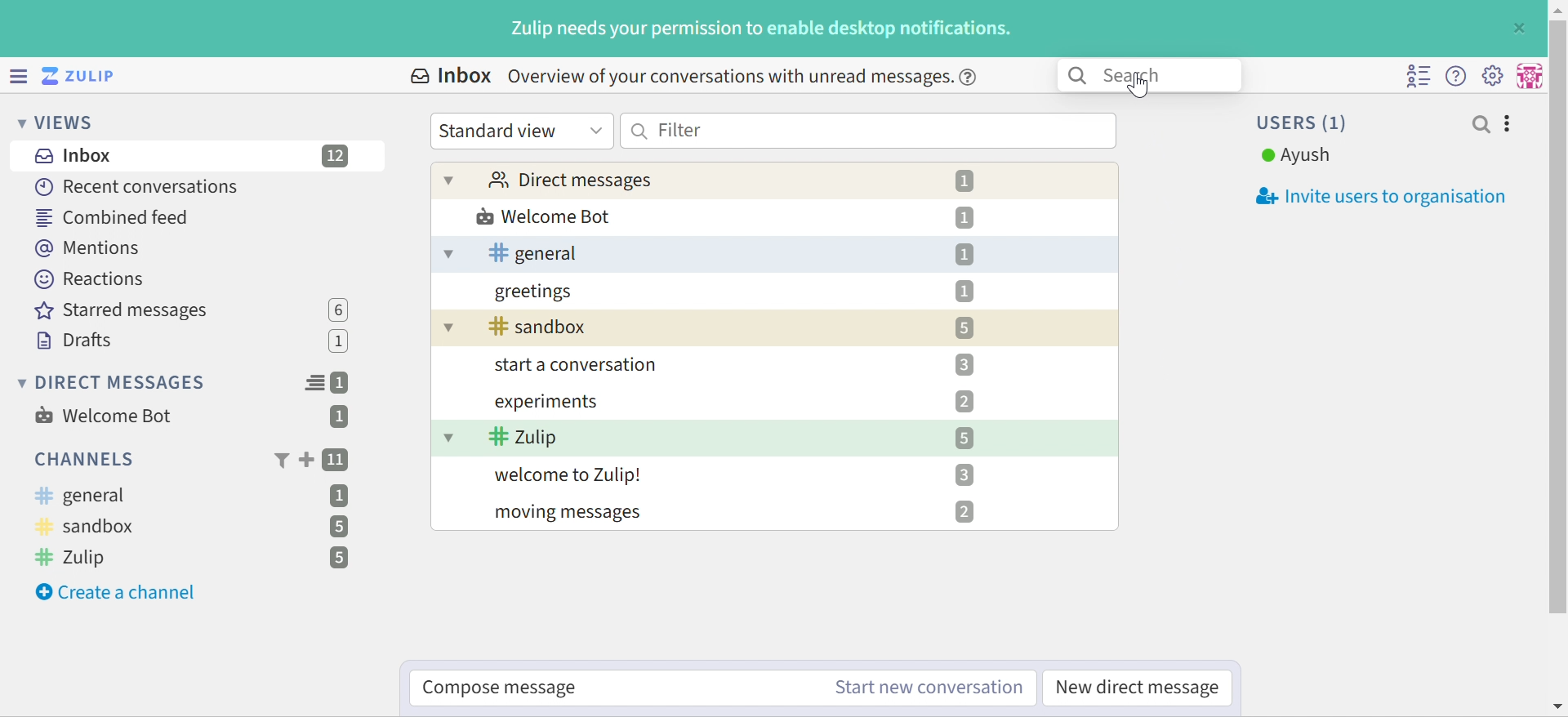 The height and width of the screenshot is (717, 1568). What do you see at coordinates (965, 328) in the screenshot?
I see `5` at bounding box center [965, 328].